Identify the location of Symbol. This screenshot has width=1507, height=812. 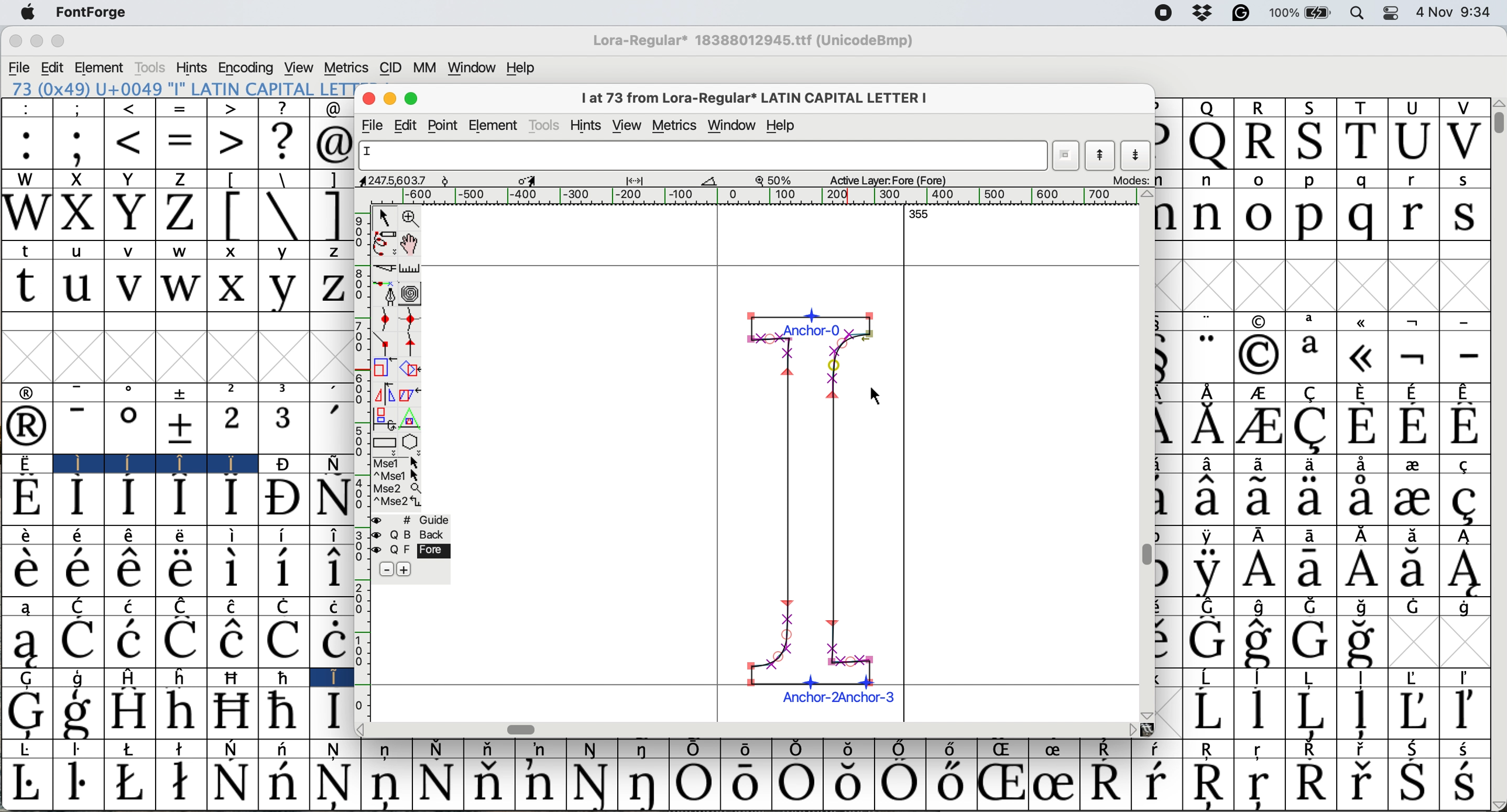
(1358, 643).